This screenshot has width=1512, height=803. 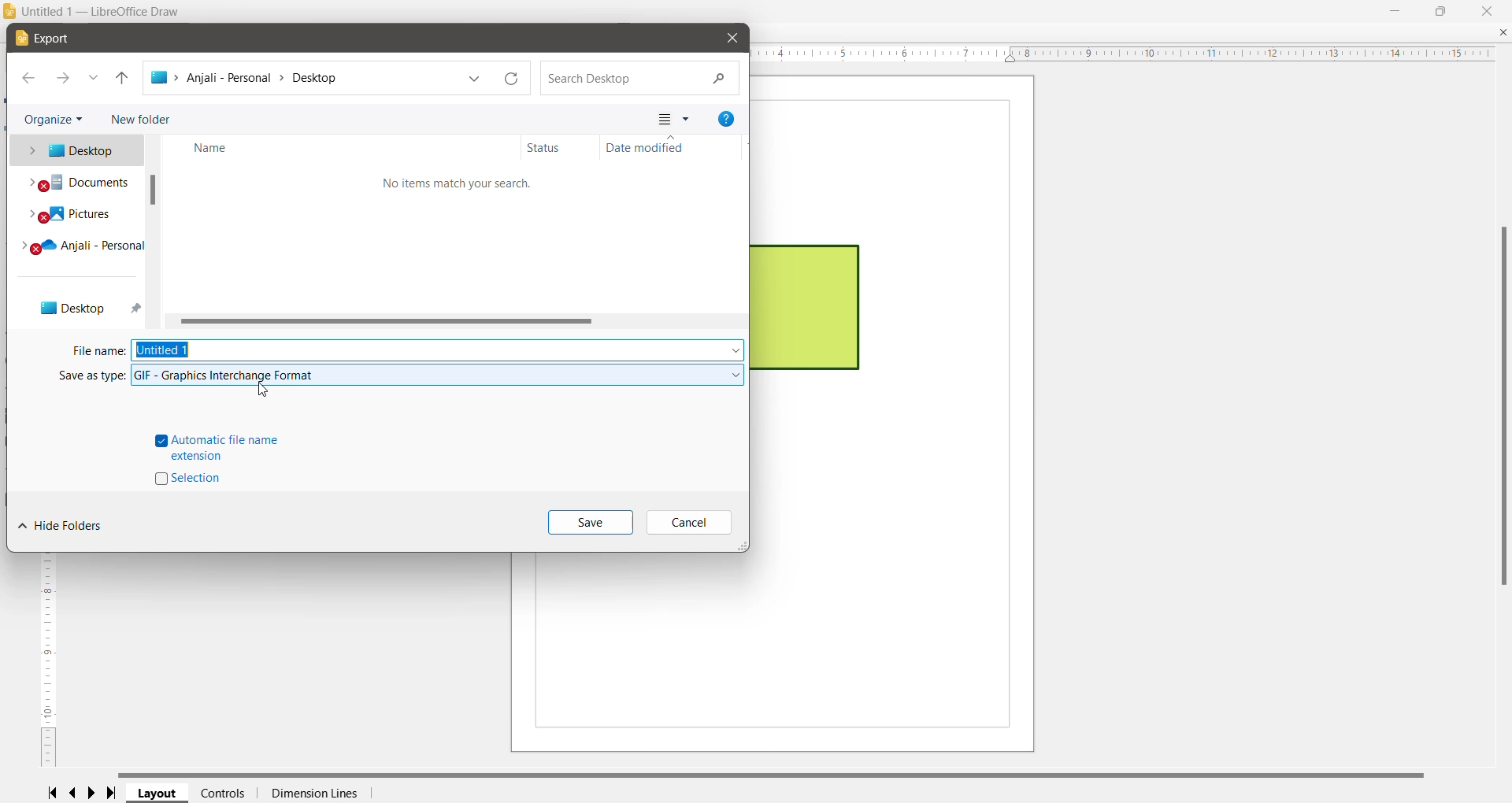 I want to click on Cancel, so click(x=687, y=522).